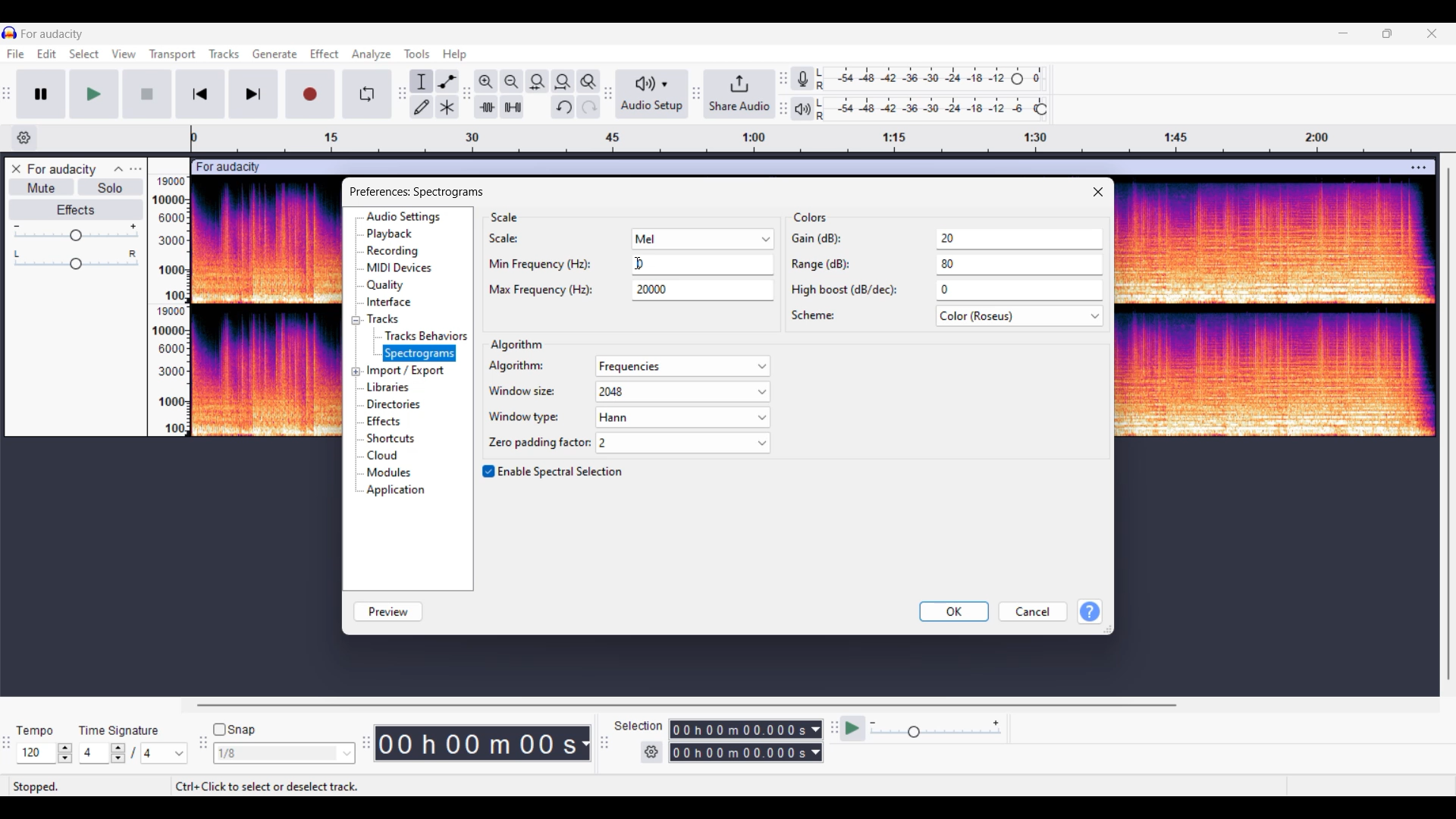 The image size is (1456, 819). What do you see at coordinates (372, 55) in the screenshot?
I see `Analyze menu` at bounding box center [372, 55].